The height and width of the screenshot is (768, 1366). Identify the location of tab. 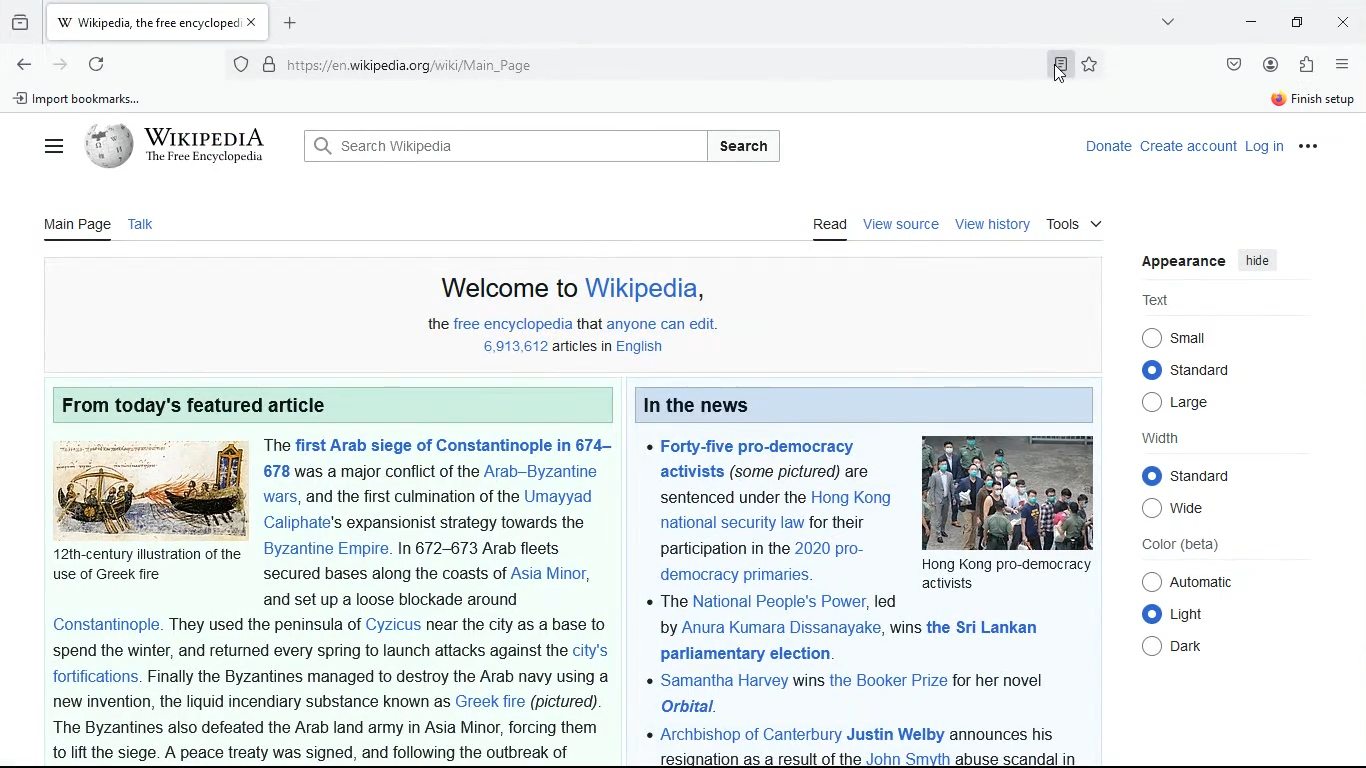
(161, 23).